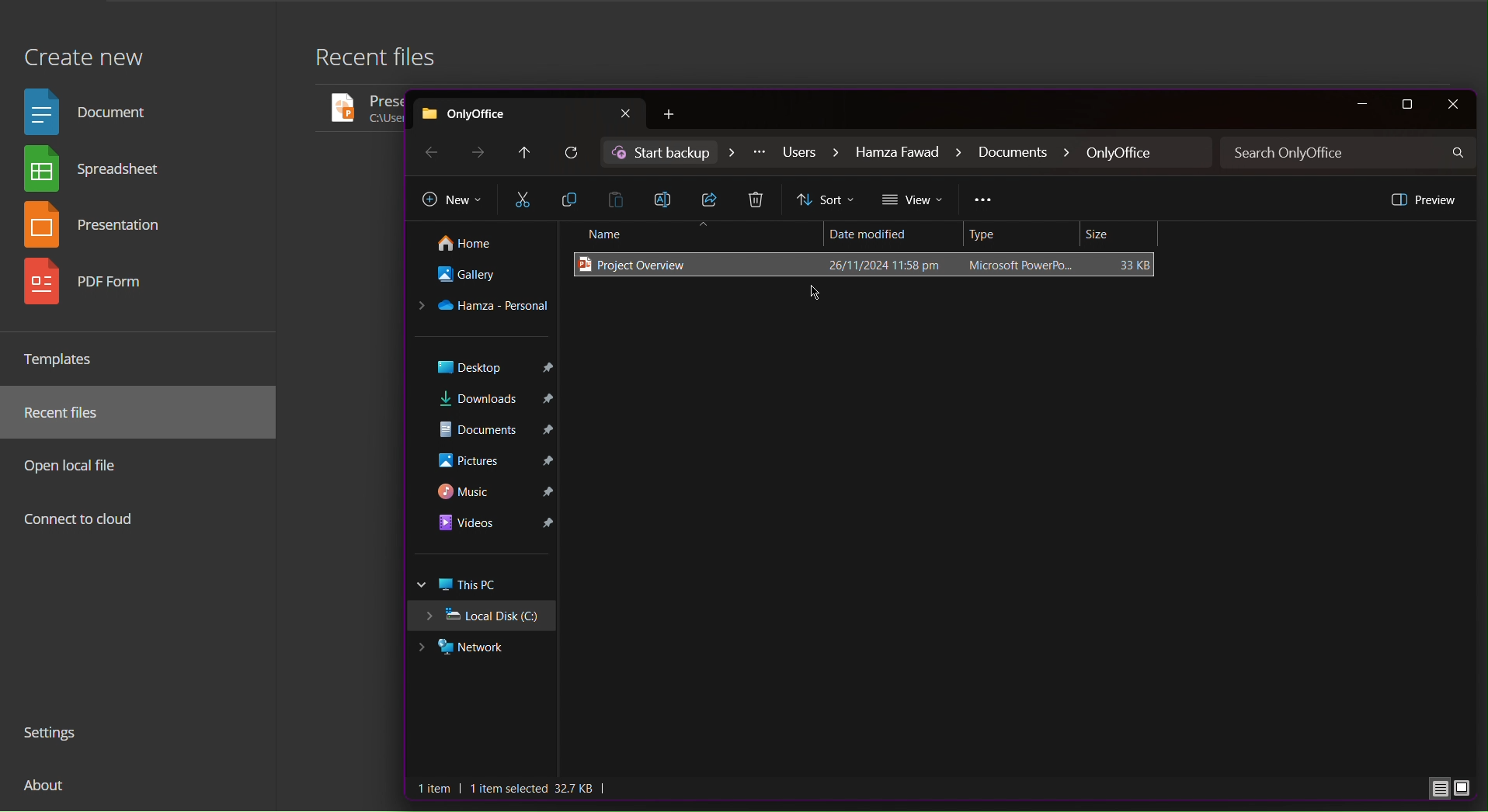  Describe the element at coordinates (83, 49) in the screenshot. I see `Create New` at that location.